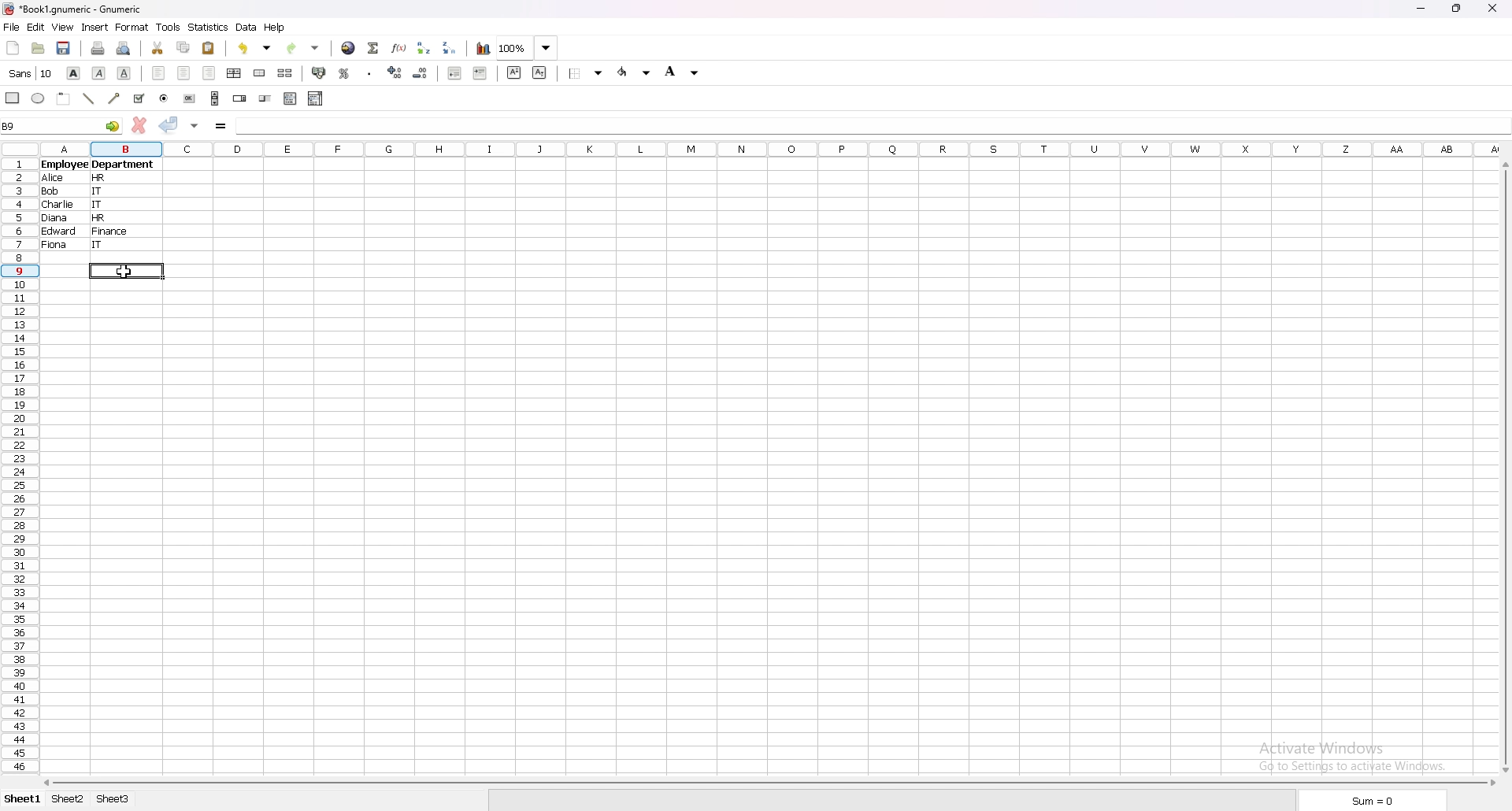  I want to click on department, so click(122, 165).